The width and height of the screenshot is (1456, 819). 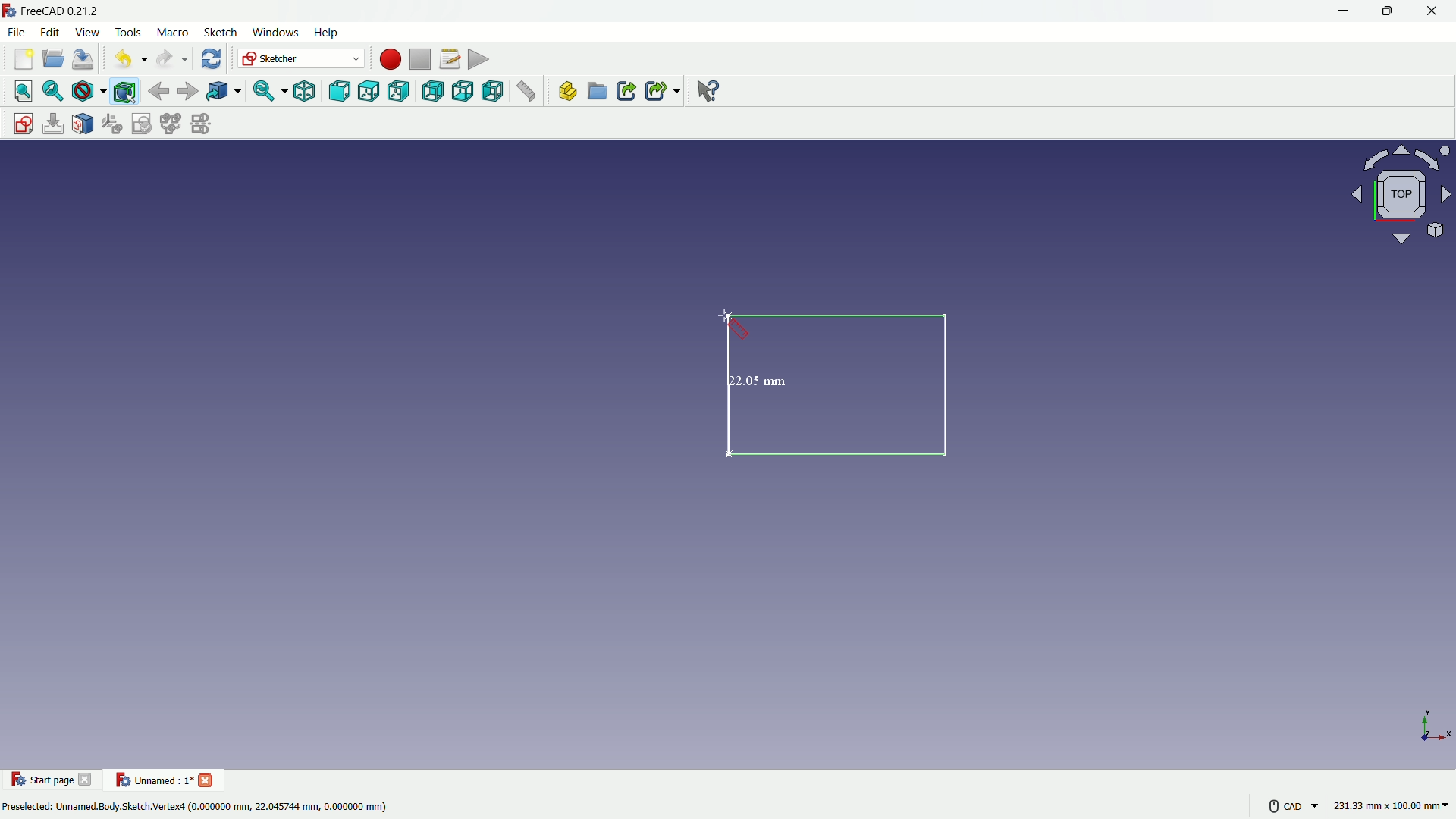 I want to click on Preselected: Unnamed. Body.Sketch.Vertex4 (0.000000 mm, 22.045744 mm, 0.000000 mm), so click(x=197, y=805).